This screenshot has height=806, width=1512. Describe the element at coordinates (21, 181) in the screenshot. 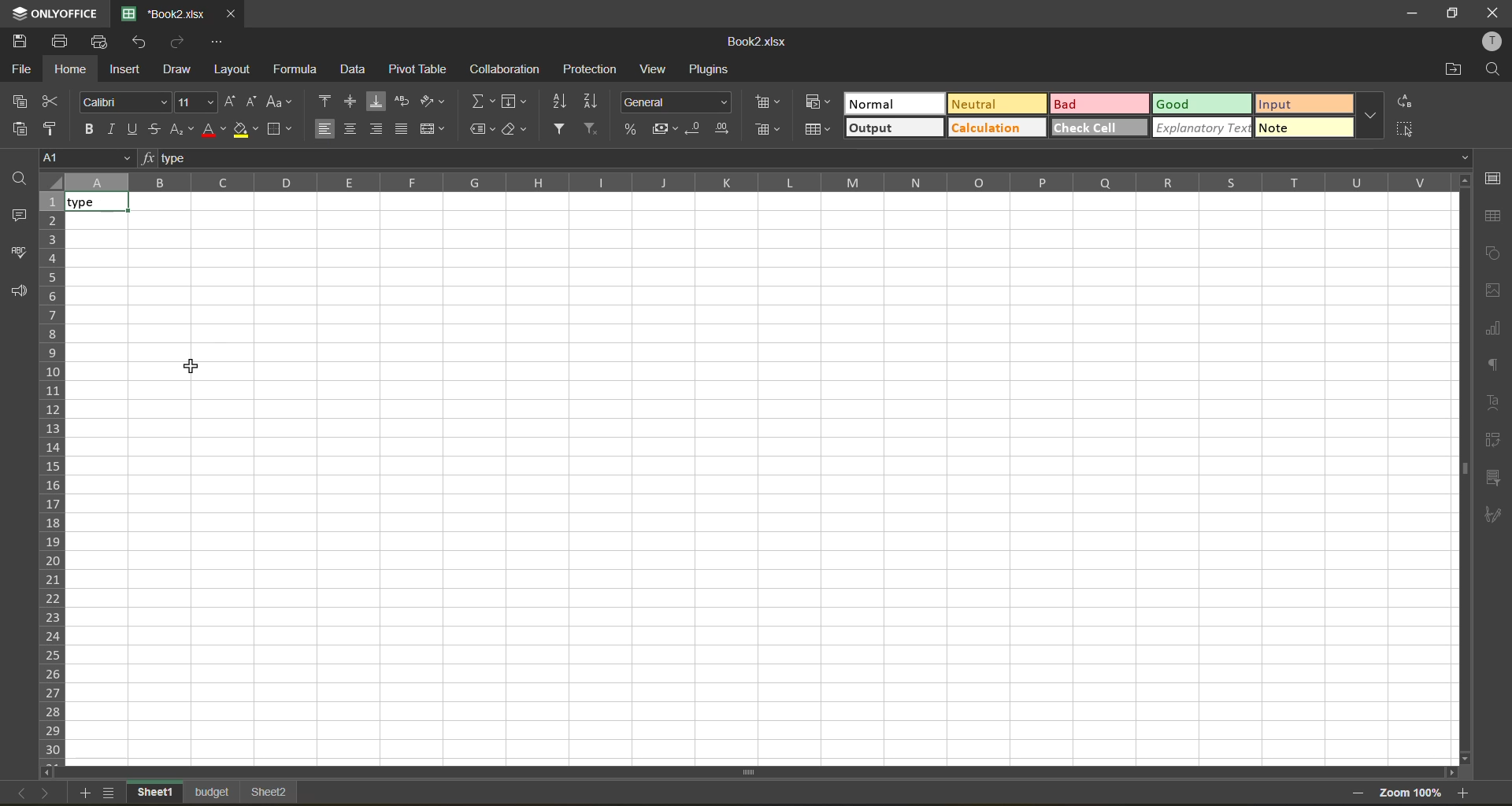

I see `find` at that location.